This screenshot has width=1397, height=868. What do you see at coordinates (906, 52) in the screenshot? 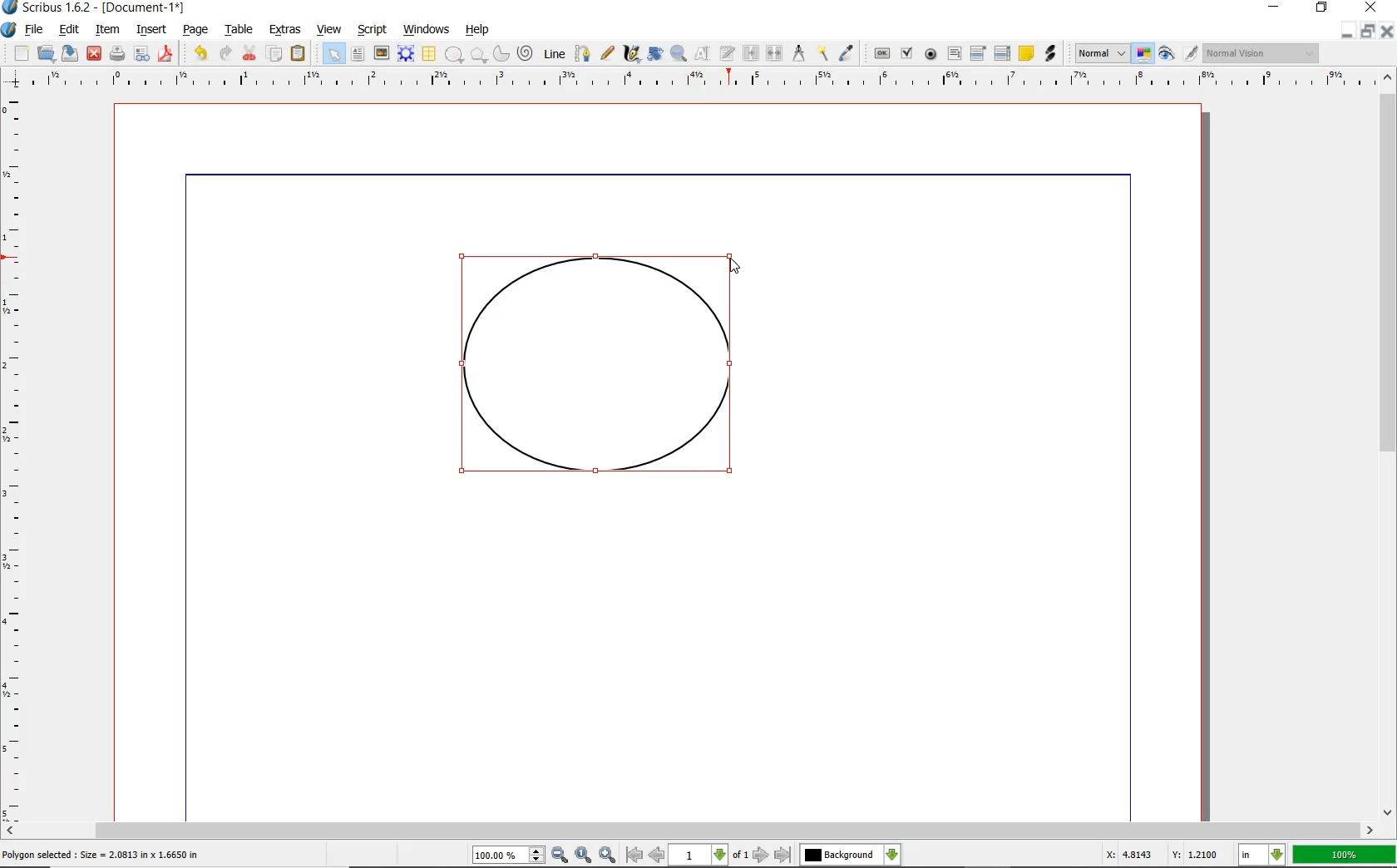
I see `PDF CHECK BOX` at bounding box center [906, 52].